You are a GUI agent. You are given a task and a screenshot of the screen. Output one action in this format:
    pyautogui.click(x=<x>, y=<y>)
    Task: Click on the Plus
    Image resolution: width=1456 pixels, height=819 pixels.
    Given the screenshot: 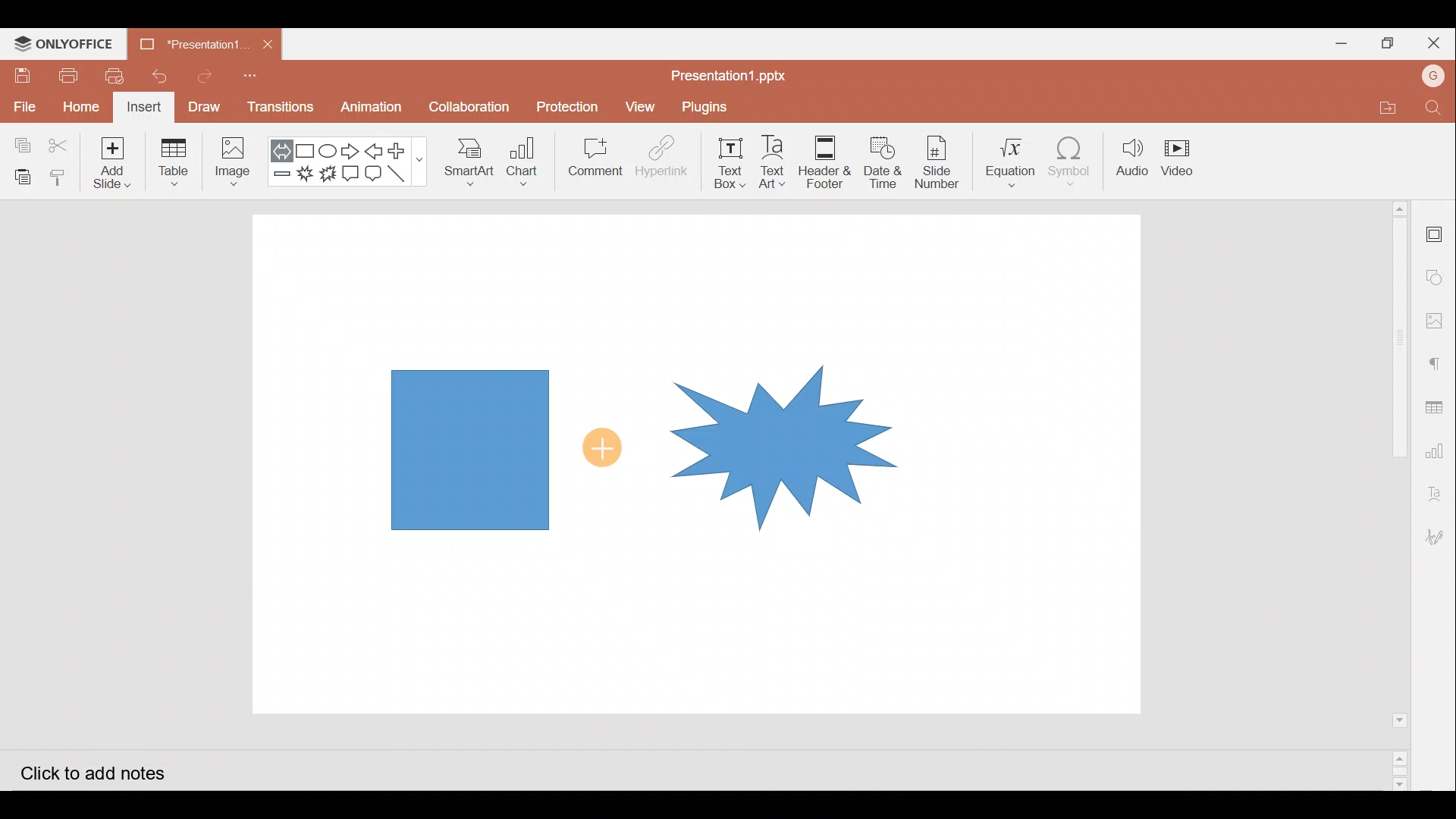 What is the action you would take?
    pyautogui.click(x=403, y=149)
    